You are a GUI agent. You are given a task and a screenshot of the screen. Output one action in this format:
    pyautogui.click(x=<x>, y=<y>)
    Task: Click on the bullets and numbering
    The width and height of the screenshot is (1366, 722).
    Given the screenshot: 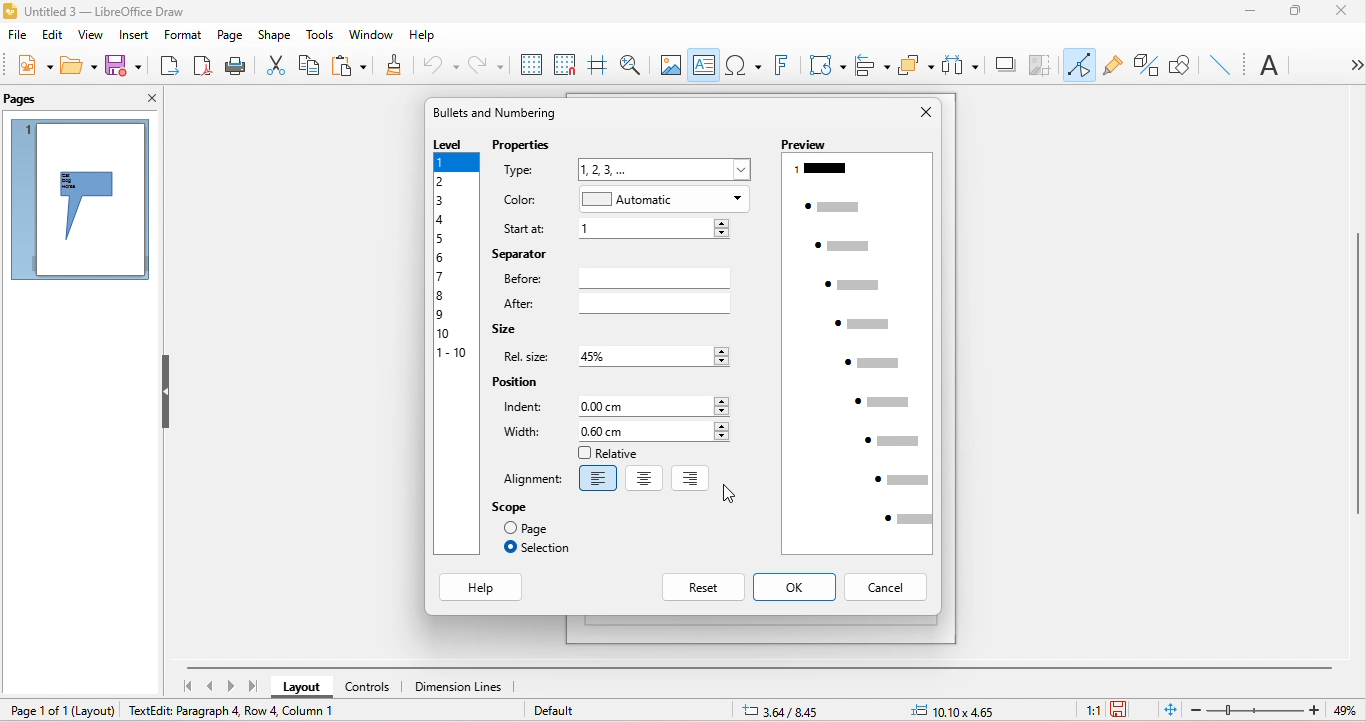 What is the action you would take?
    pyautogui.click(x=501, y=114)
    